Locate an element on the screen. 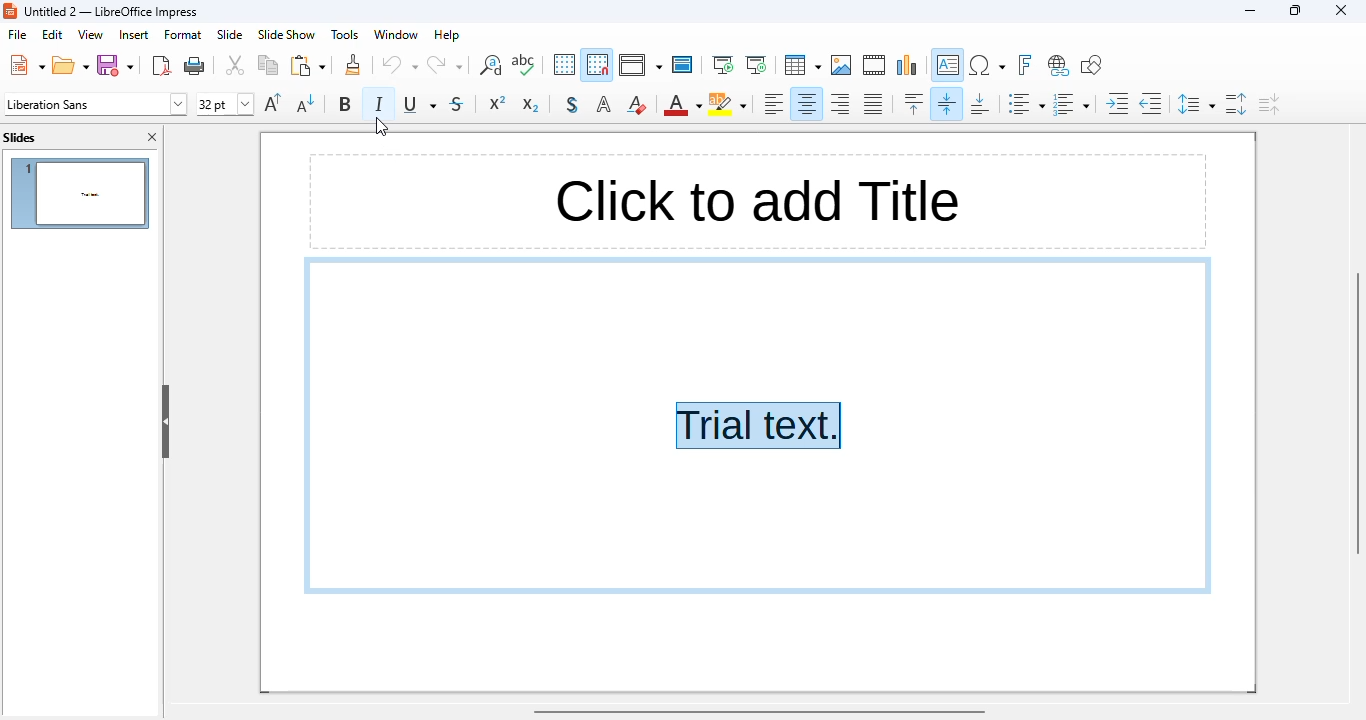 The height and width of the screenshot is (720, 1366). start from current slide is located at coordinates (757, 65).